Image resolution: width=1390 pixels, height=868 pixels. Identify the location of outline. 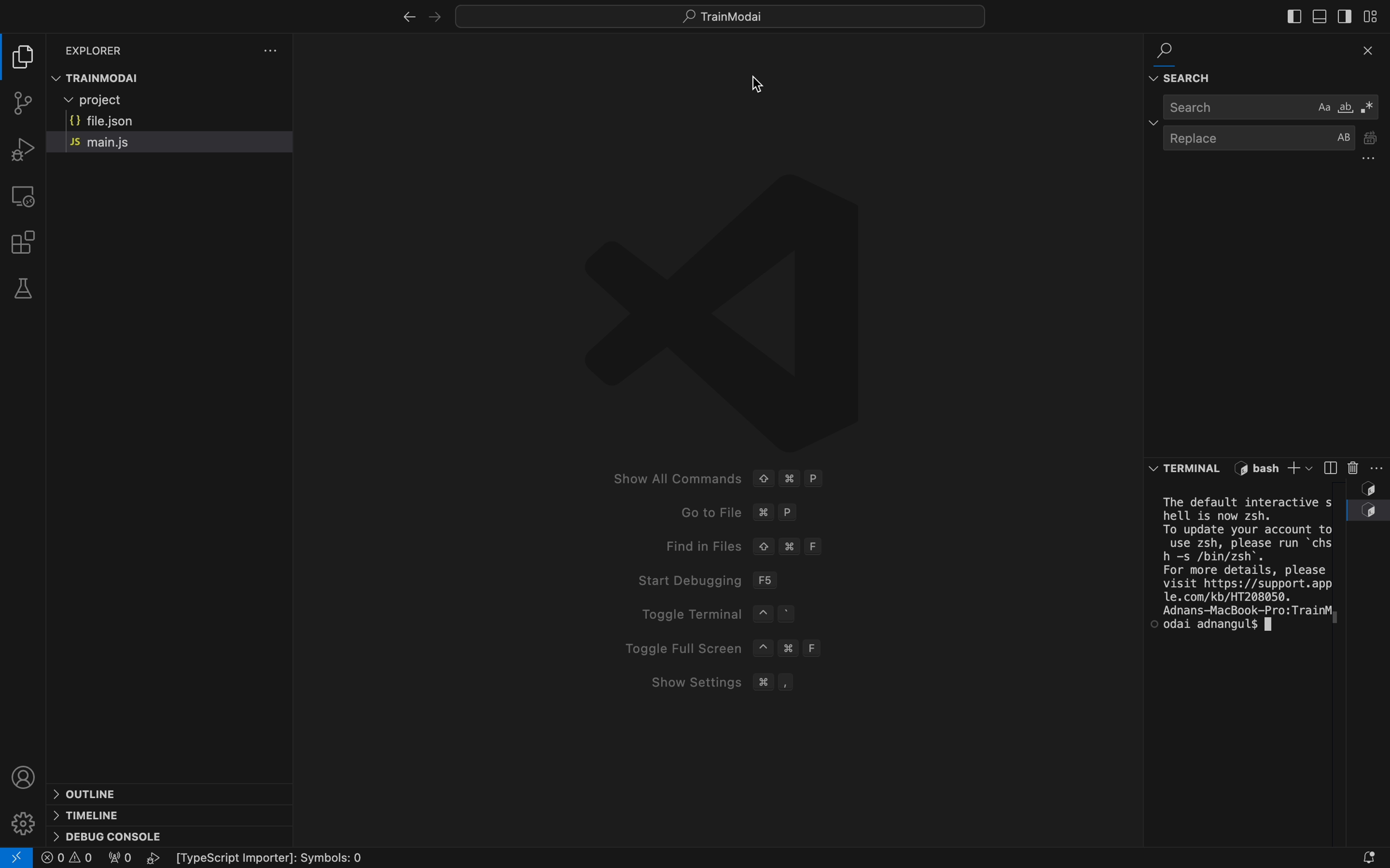
(91, 789).